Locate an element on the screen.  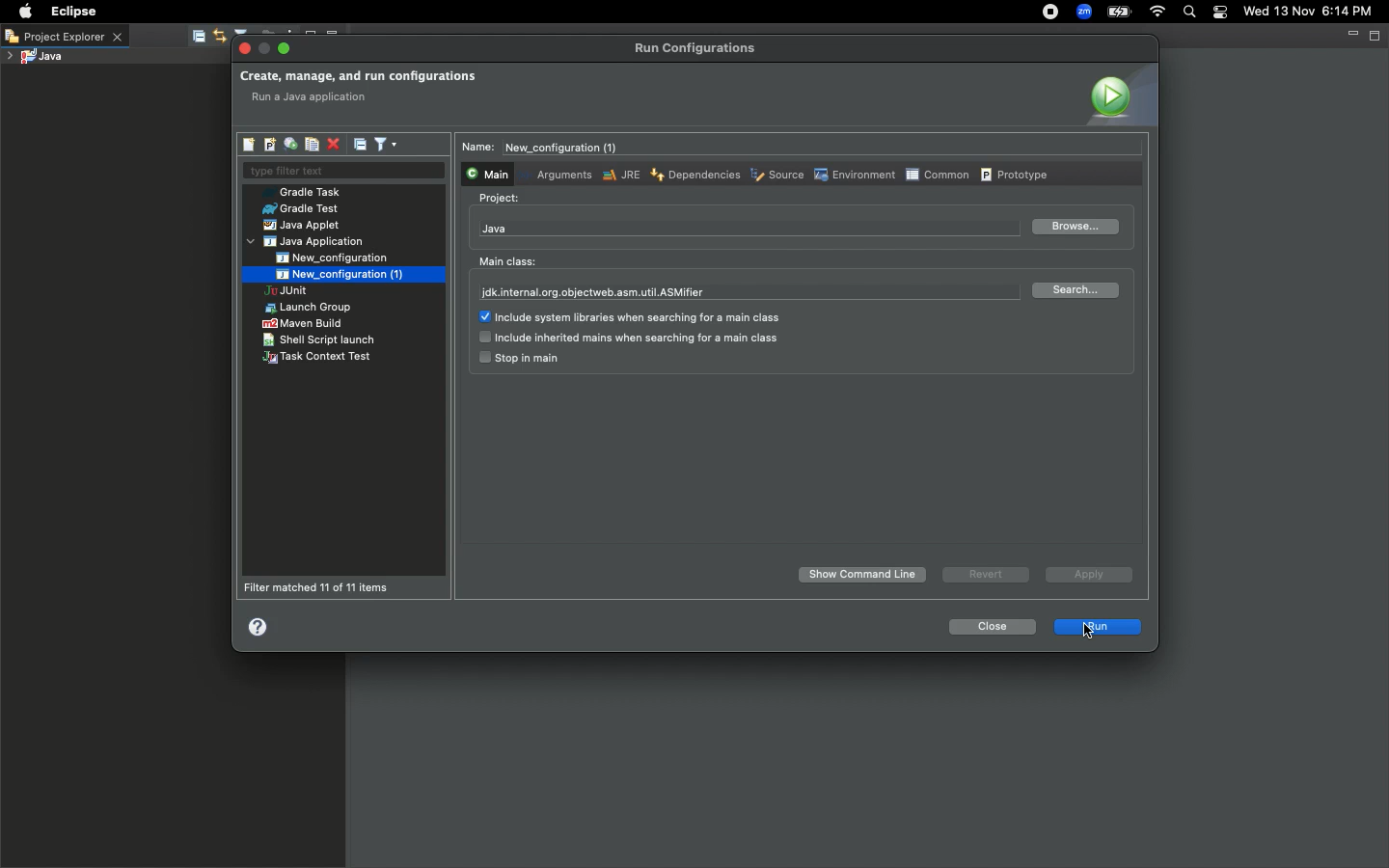
Filter launch configurations is located at coordinates (385, 143).